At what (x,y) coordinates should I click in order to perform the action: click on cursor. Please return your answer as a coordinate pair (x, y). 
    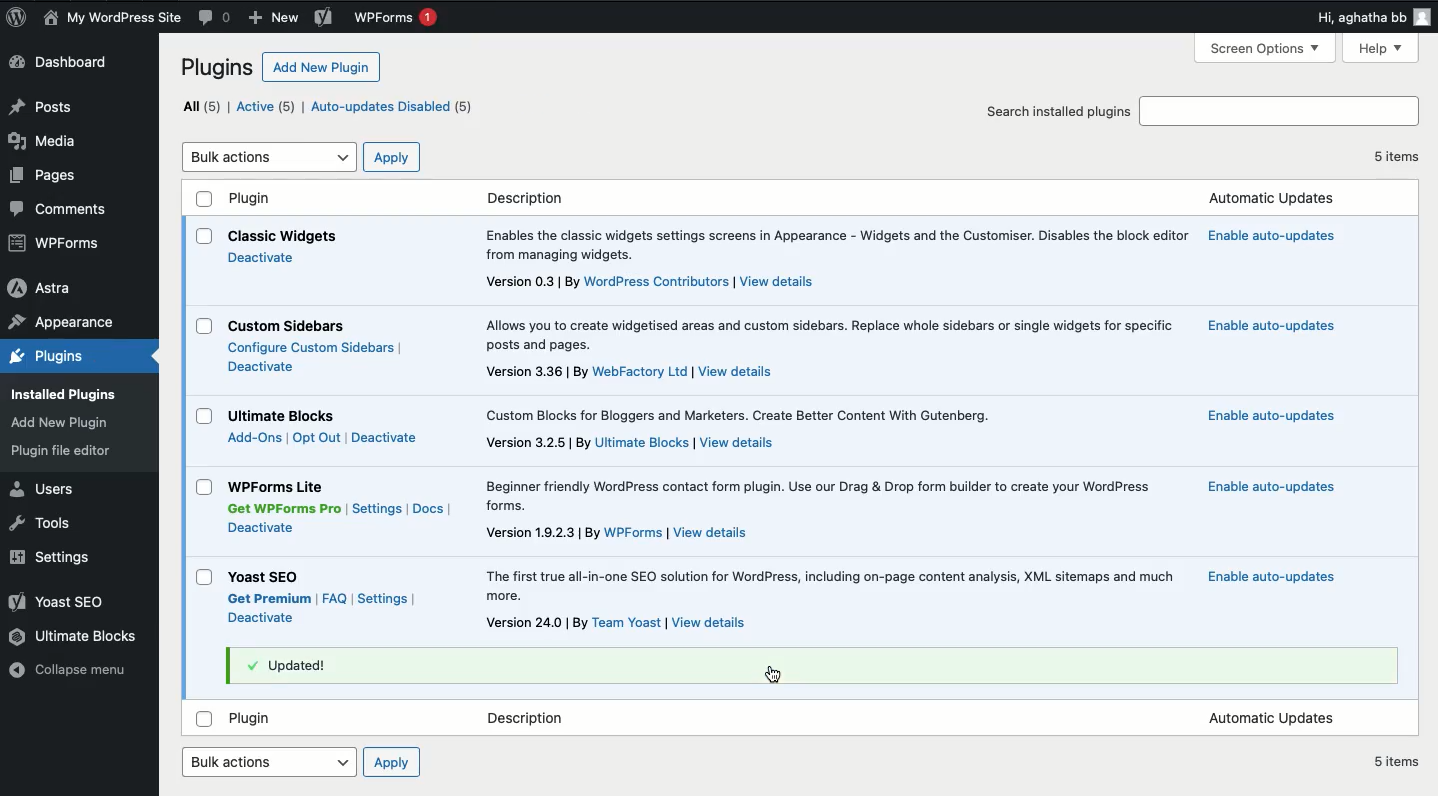
    Looking at the image, I should click on (772, 677).